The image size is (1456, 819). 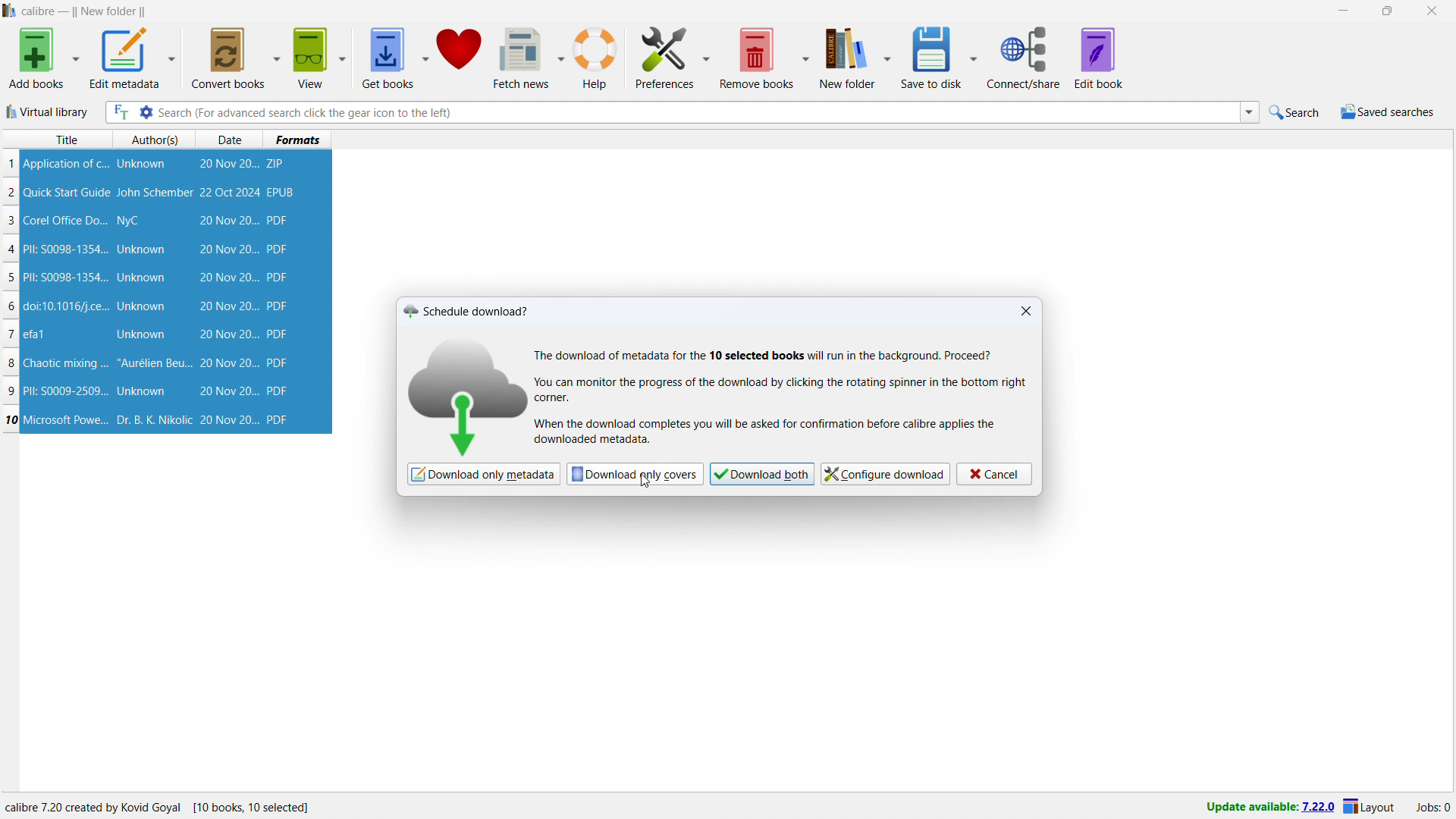 I want to click on add books options, so click(x=77, y=57).